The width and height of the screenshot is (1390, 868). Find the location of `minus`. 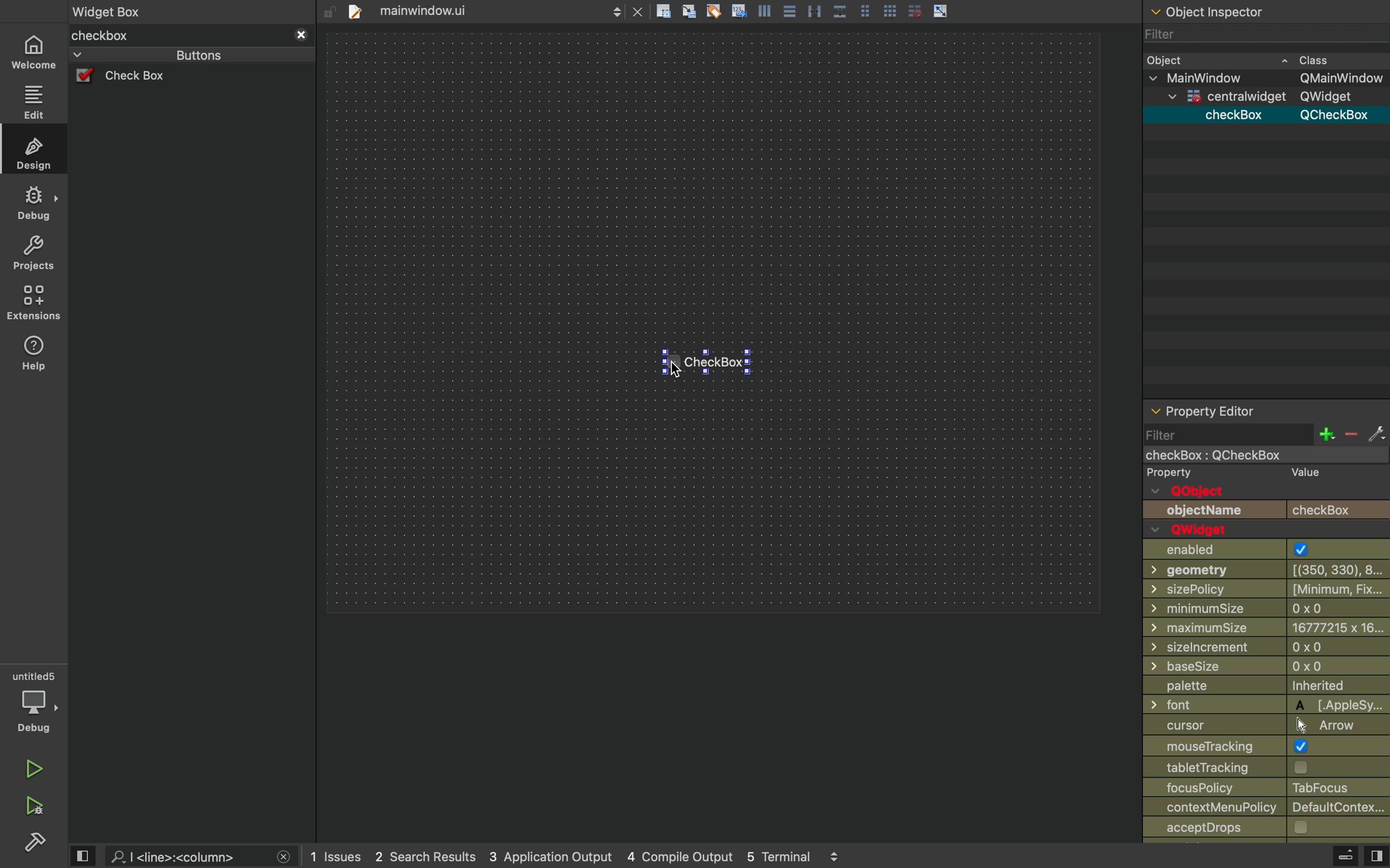

minus is located at coordinates (1350, 435).